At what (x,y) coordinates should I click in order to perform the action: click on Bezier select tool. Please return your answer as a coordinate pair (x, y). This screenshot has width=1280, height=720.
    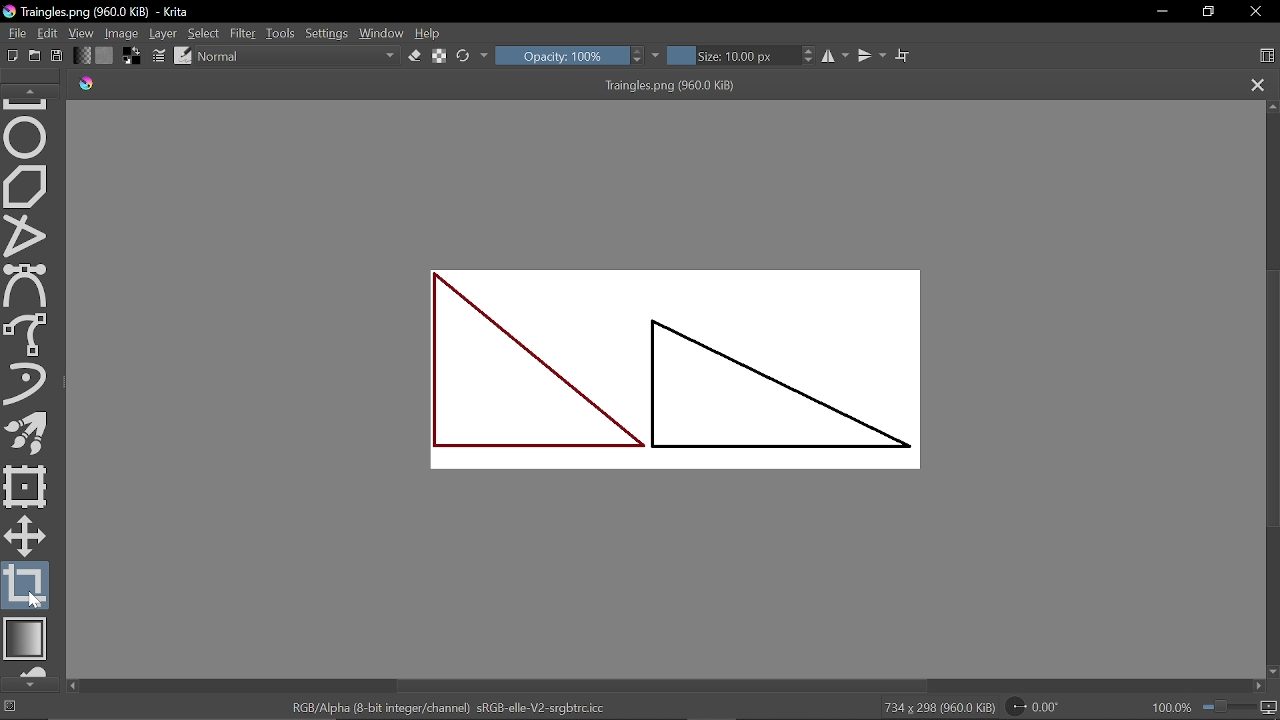
    Looking at the image, I should click on (25, 286).